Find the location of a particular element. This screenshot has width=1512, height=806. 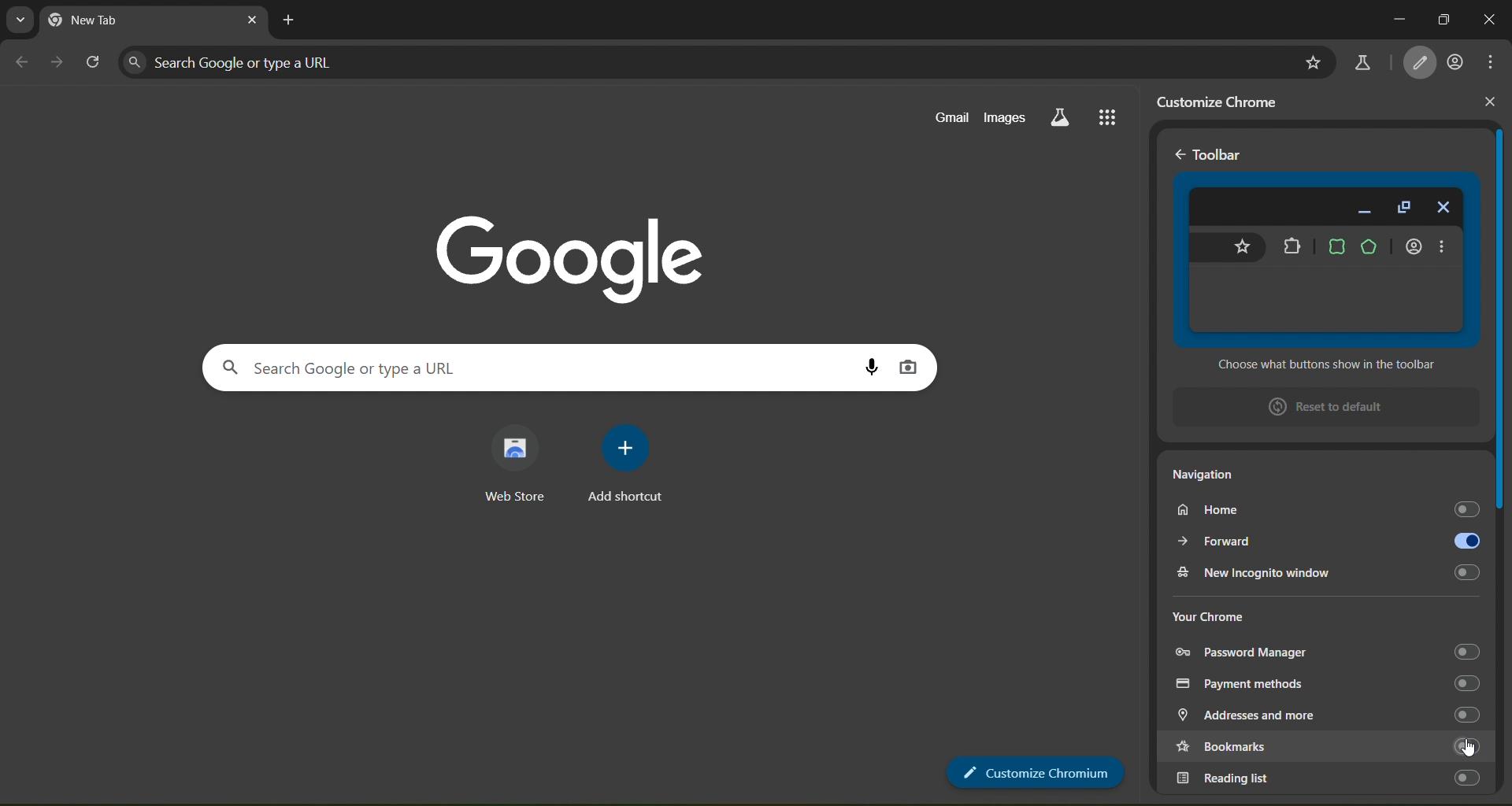

close is located at coordinates (1482, 102).